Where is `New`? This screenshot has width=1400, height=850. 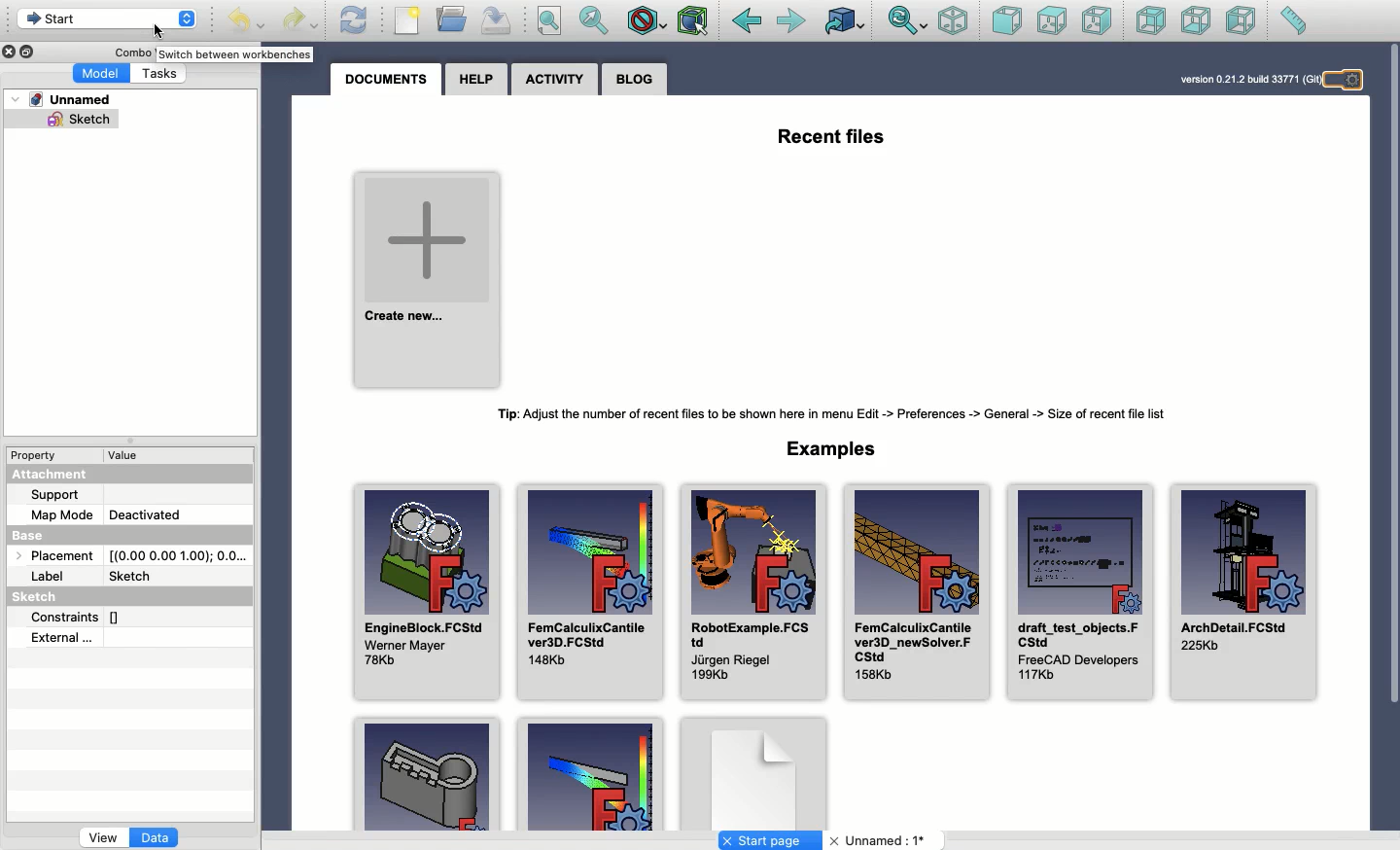
New is located at coordinates (407, 20).